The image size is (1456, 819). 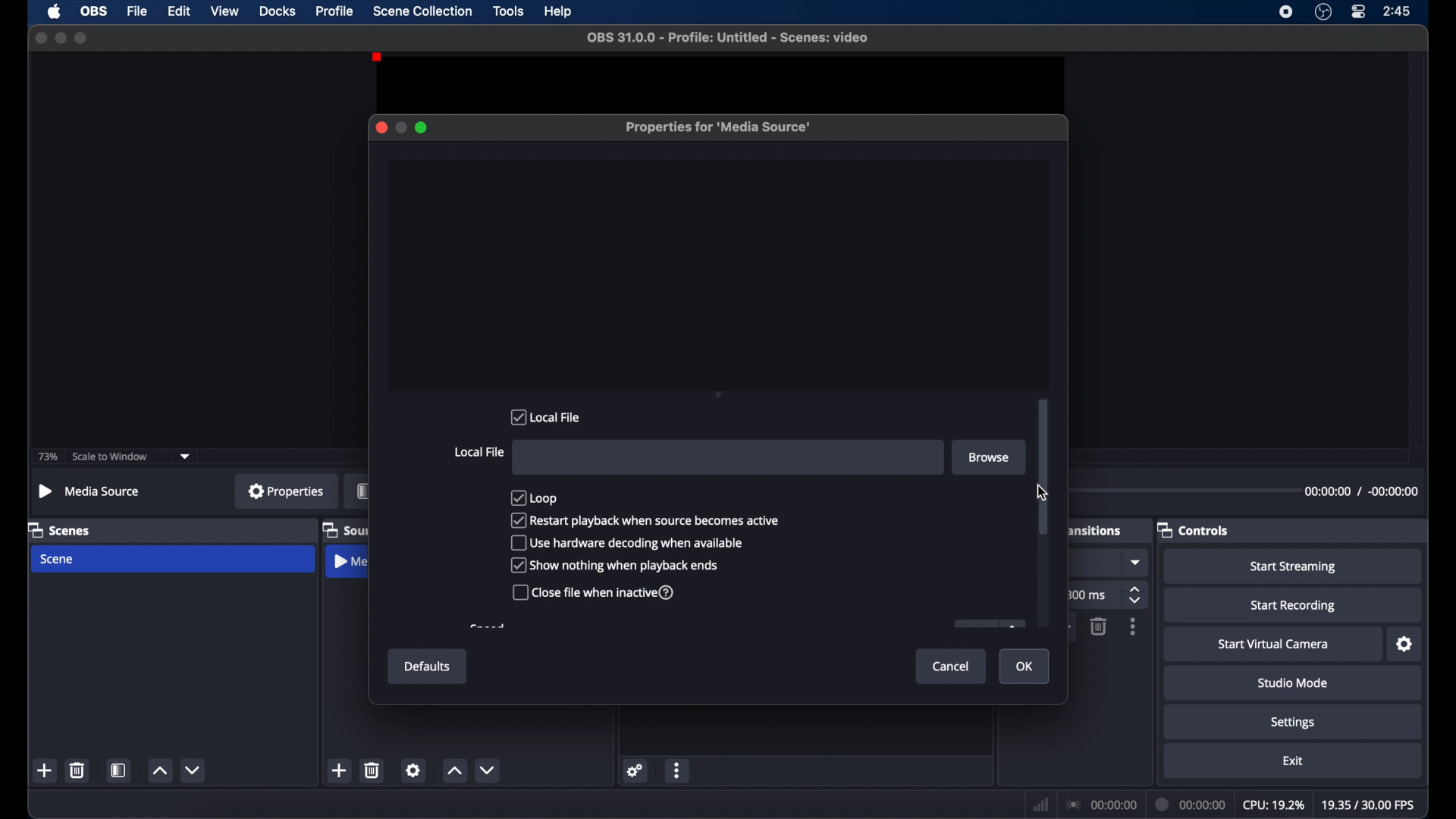 I want to click on ms, so click(x=1091, y=595).